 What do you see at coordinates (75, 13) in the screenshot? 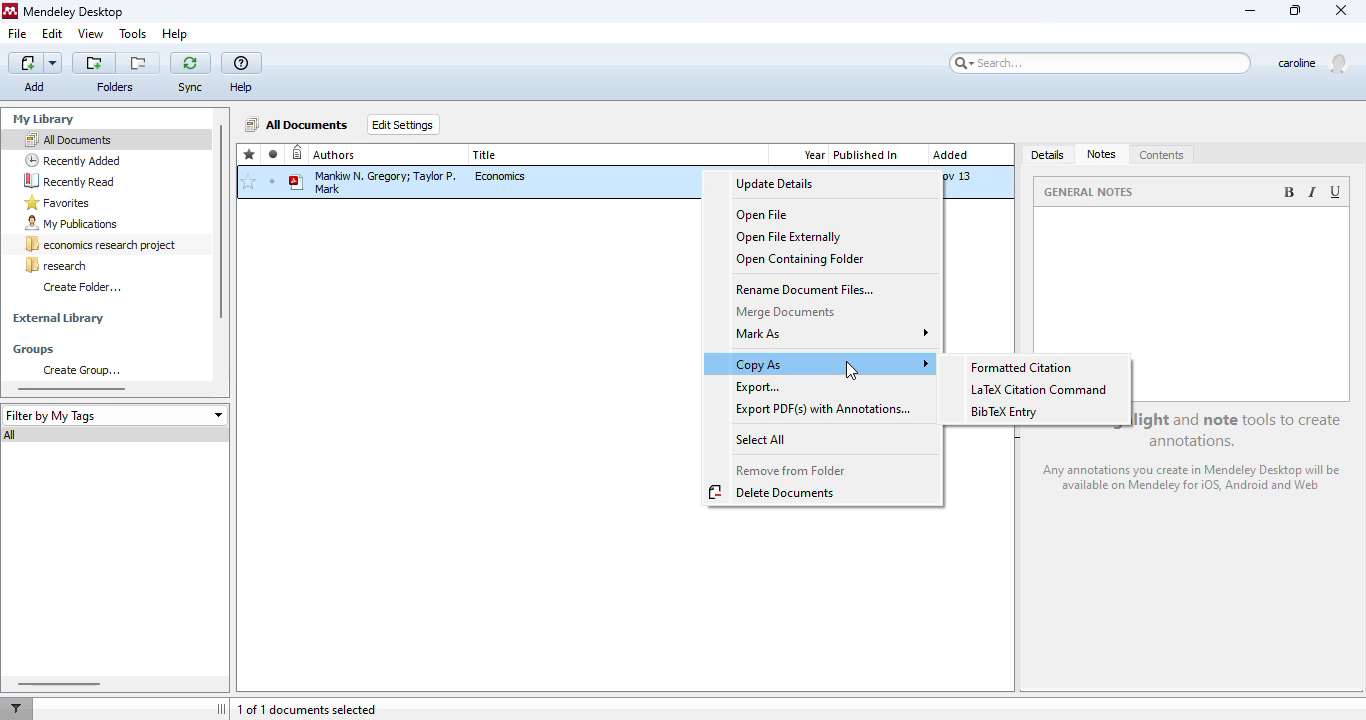
I see `mendeley desktop` at bounding box center [75, 13].